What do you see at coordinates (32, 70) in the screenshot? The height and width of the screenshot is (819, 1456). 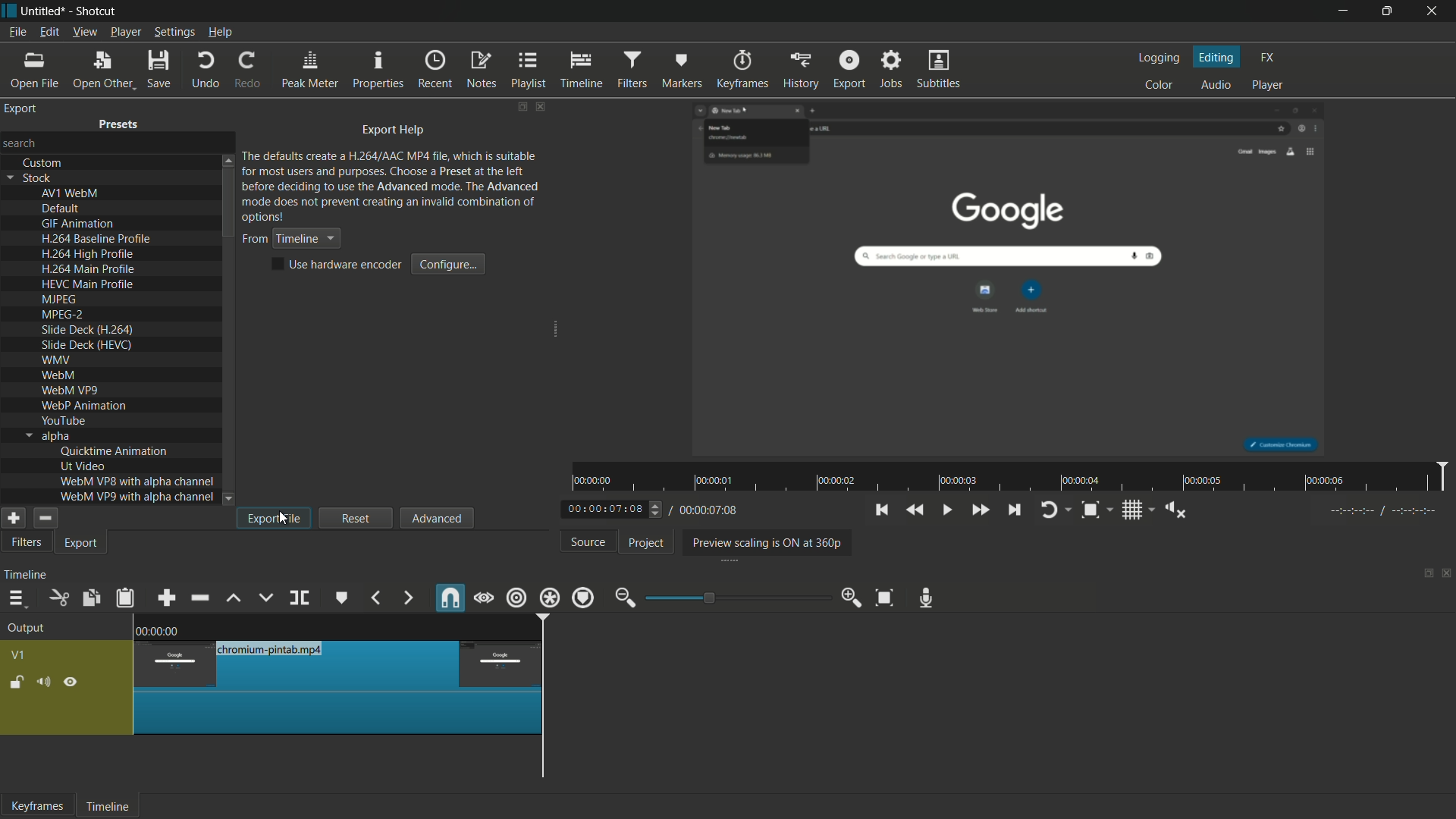 I see `open file` at bounding box center [32, 70].